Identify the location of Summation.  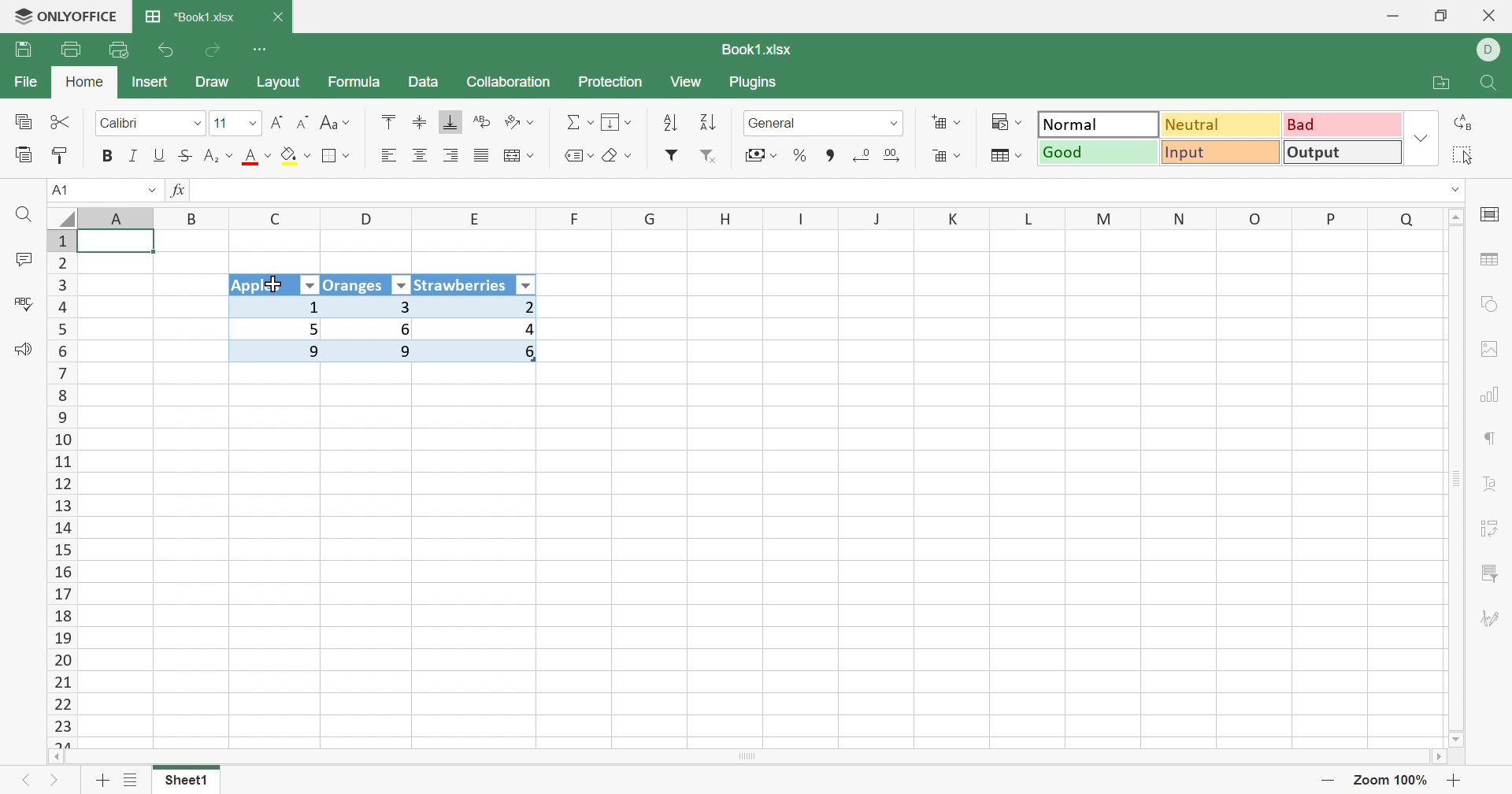
(580, 123).